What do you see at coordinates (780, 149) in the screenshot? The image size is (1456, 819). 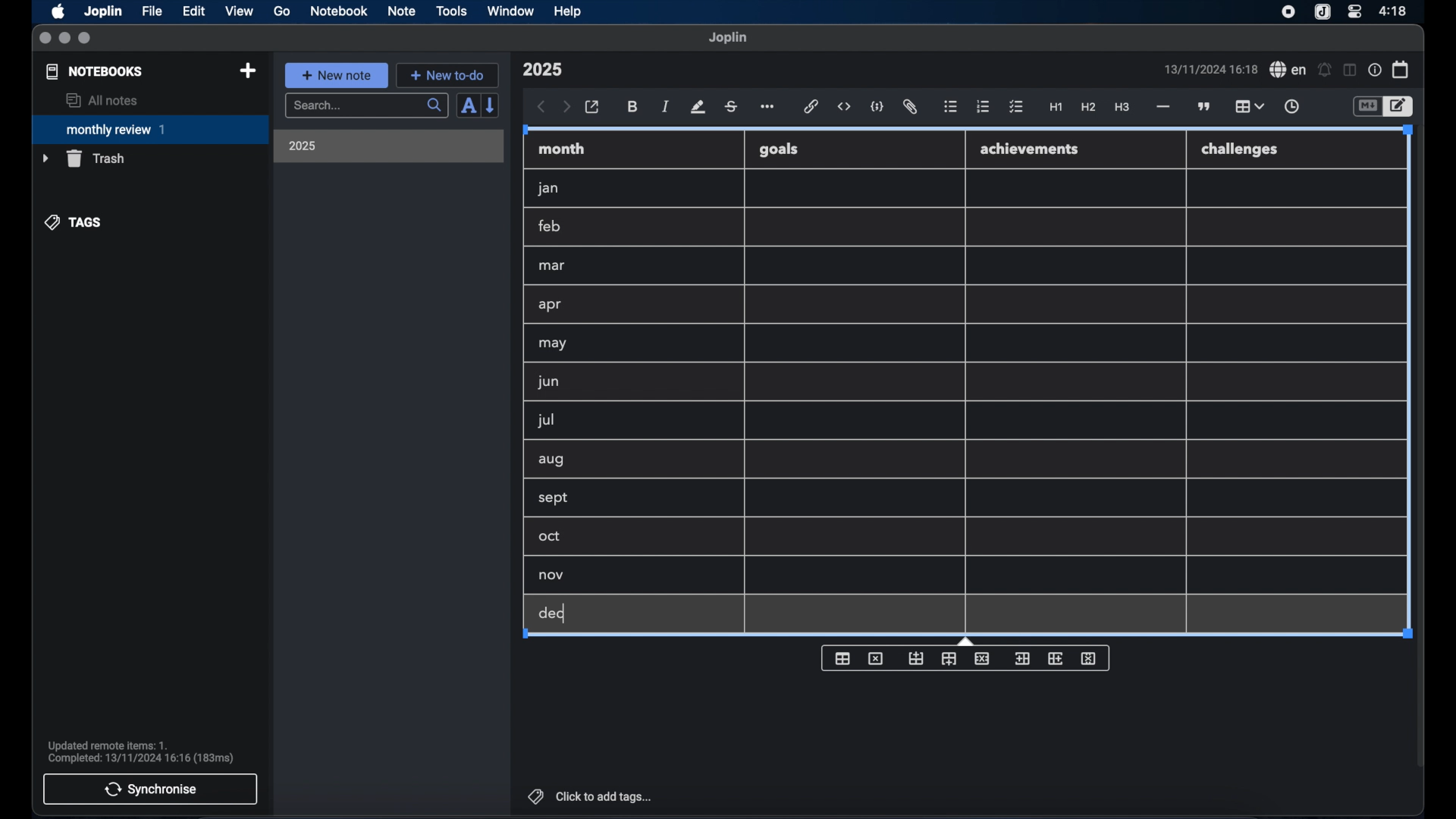 I see `goals` at bounding box center [780, 149].